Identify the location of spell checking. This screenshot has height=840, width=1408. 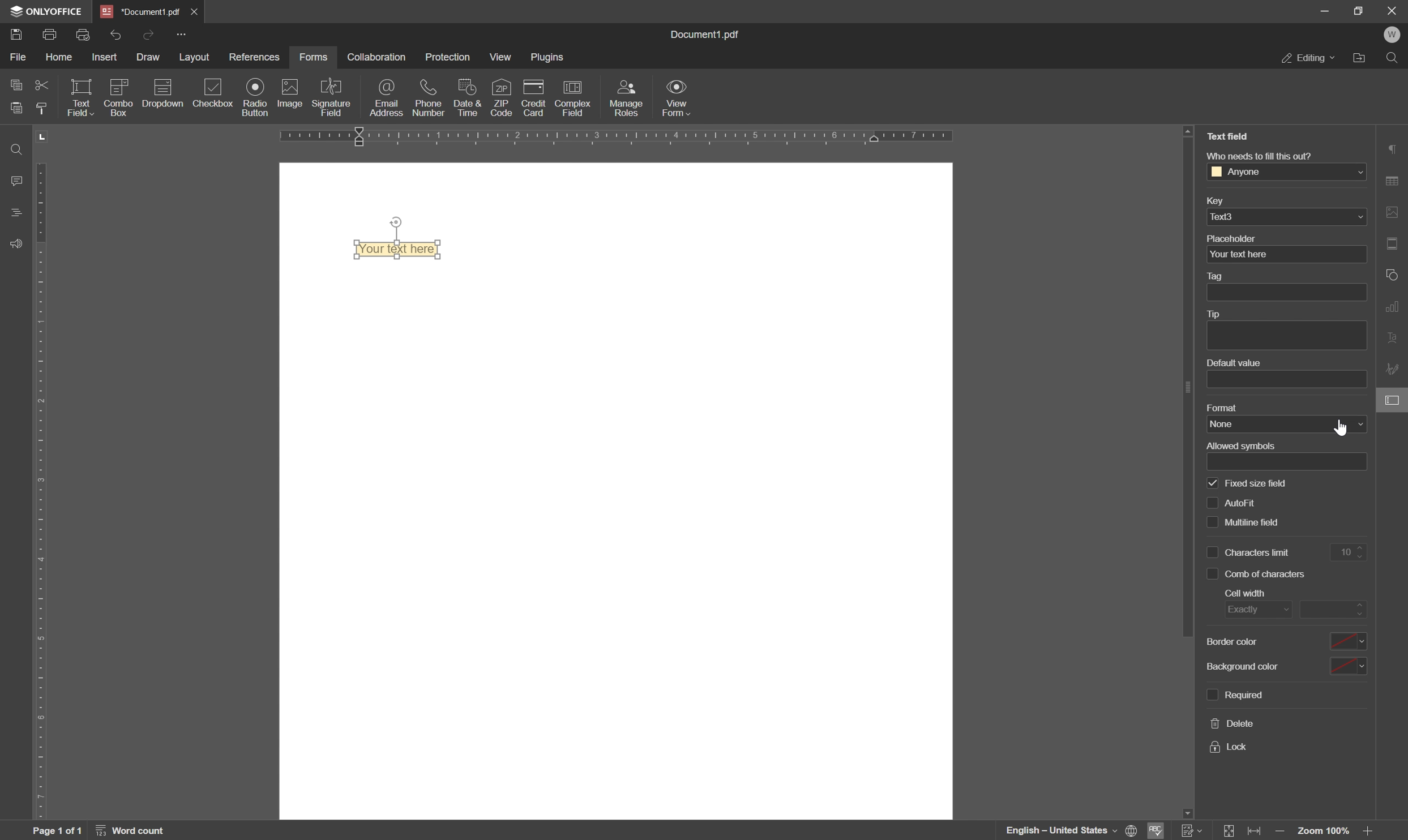
(1159, 831).